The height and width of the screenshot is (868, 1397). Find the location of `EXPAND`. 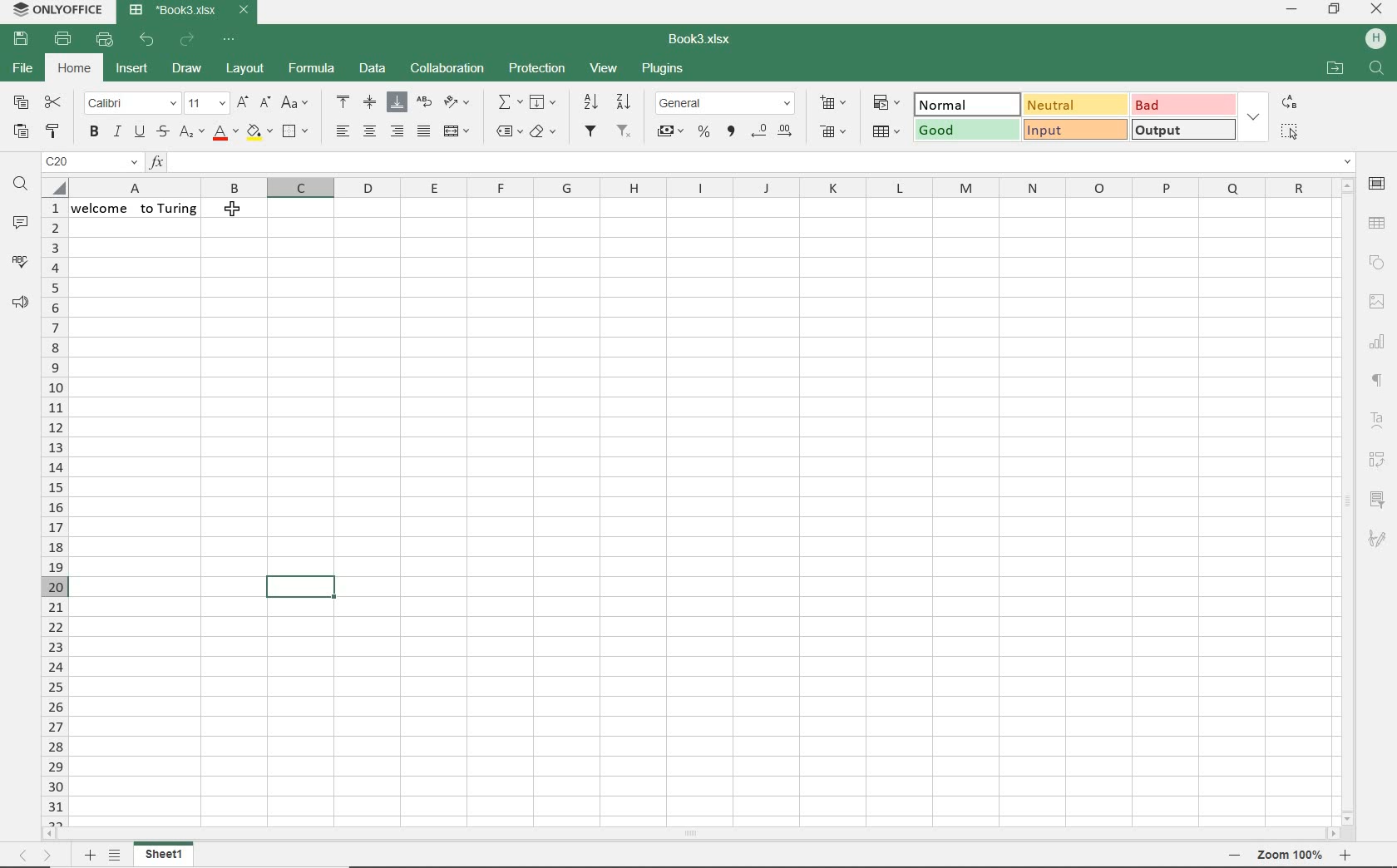

EXPAND is located at coordinates (1253, 117).